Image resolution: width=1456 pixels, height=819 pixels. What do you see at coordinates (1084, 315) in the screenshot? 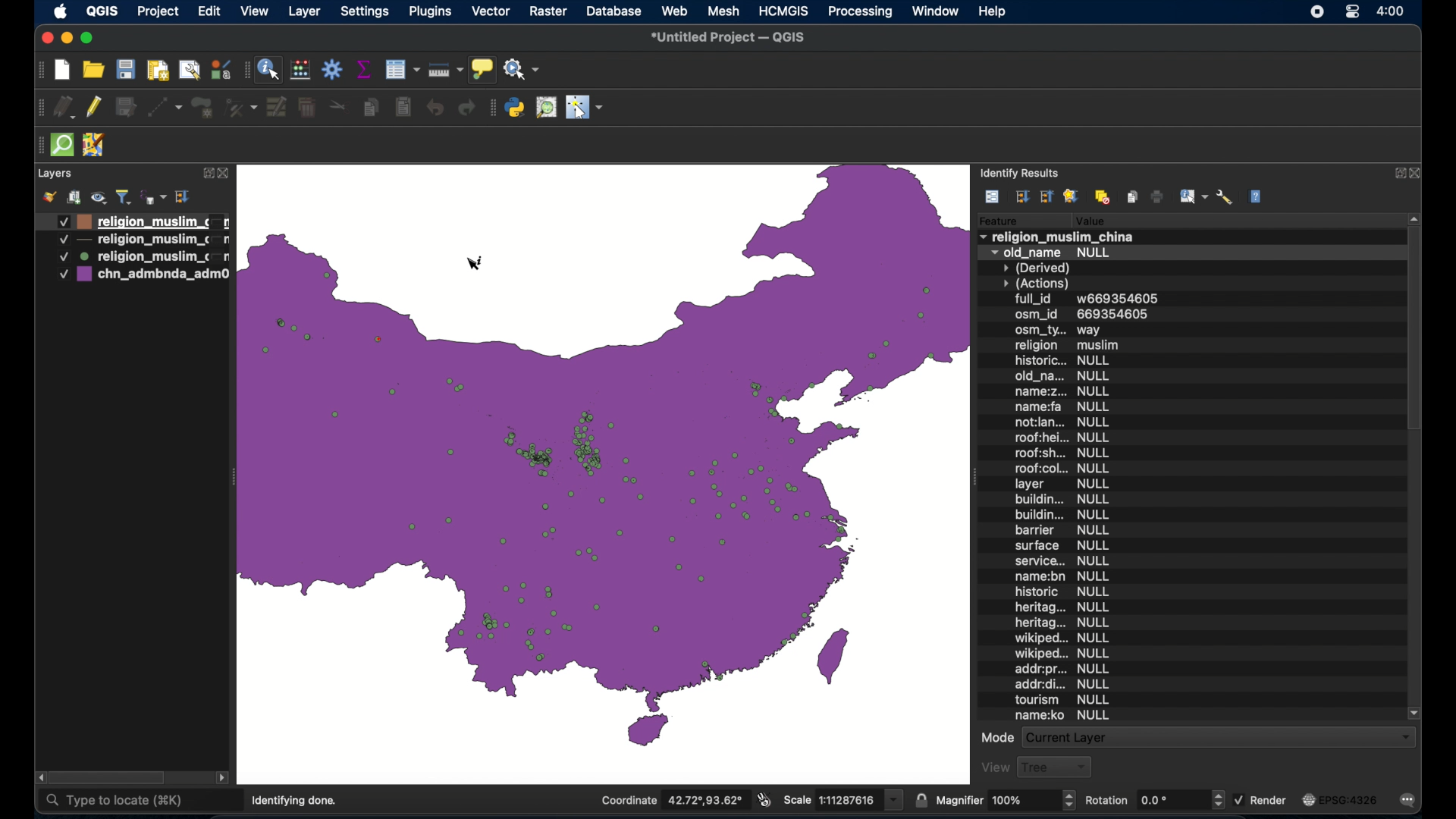
I see `osm_id` at bounding box center [1084, 315].